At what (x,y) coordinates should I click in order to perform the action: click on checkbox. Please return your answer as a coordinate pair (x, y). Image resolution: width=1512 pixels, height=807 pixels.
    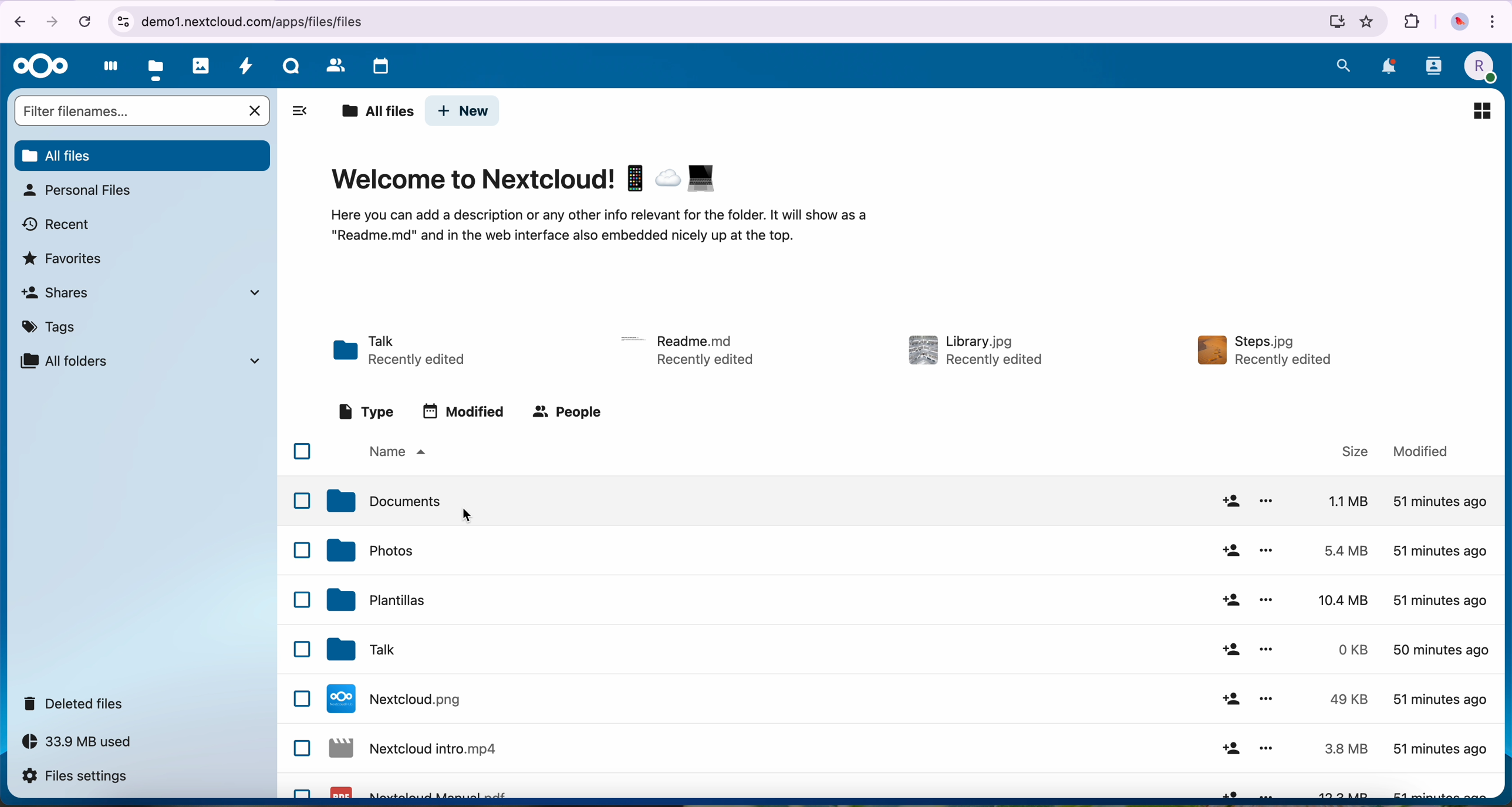
    Looking at the image, I should click on (303, 500).